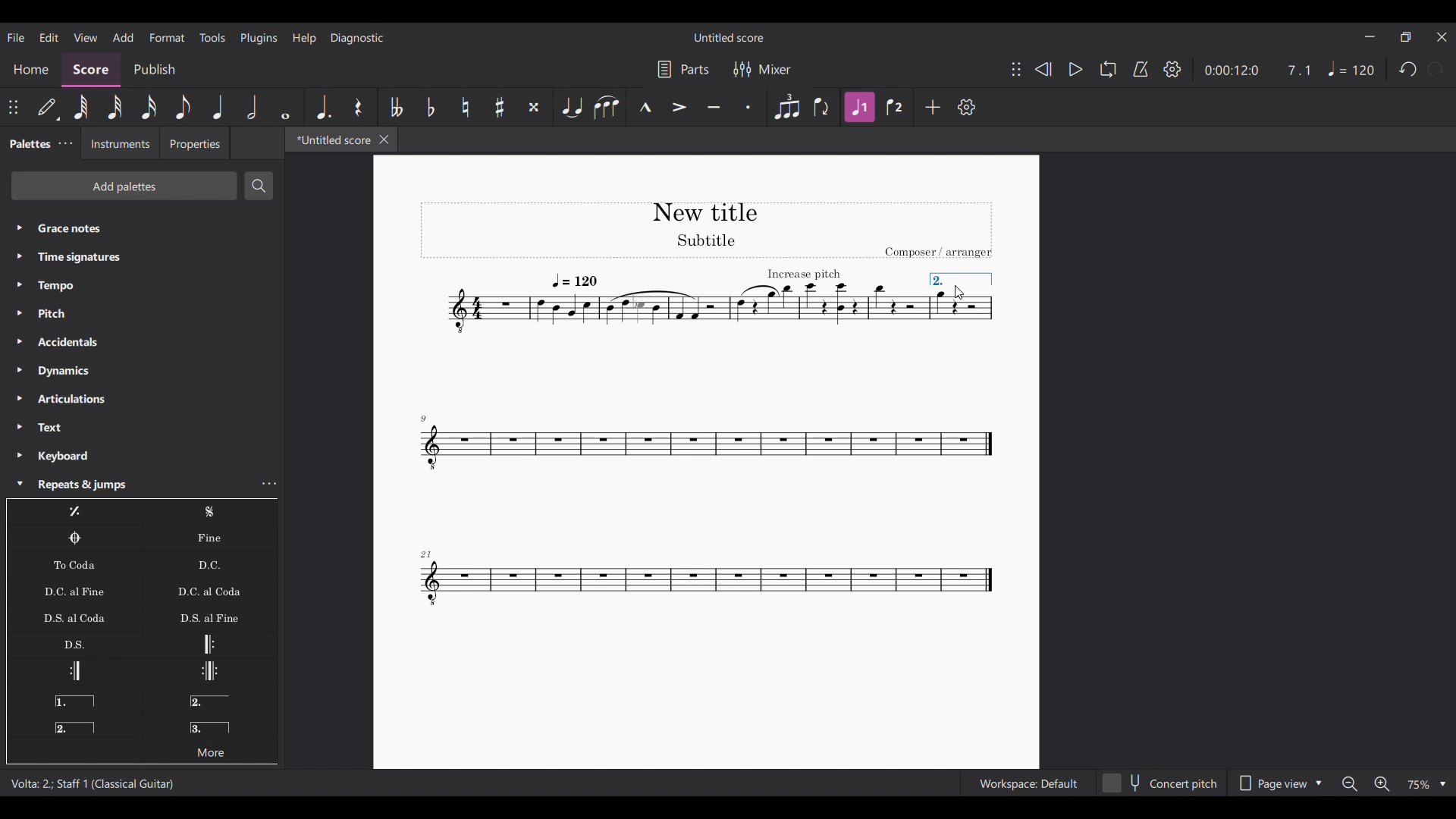  Describe the element at coordinates (359, 107) in the screenshot. I see `Rest` at that location.